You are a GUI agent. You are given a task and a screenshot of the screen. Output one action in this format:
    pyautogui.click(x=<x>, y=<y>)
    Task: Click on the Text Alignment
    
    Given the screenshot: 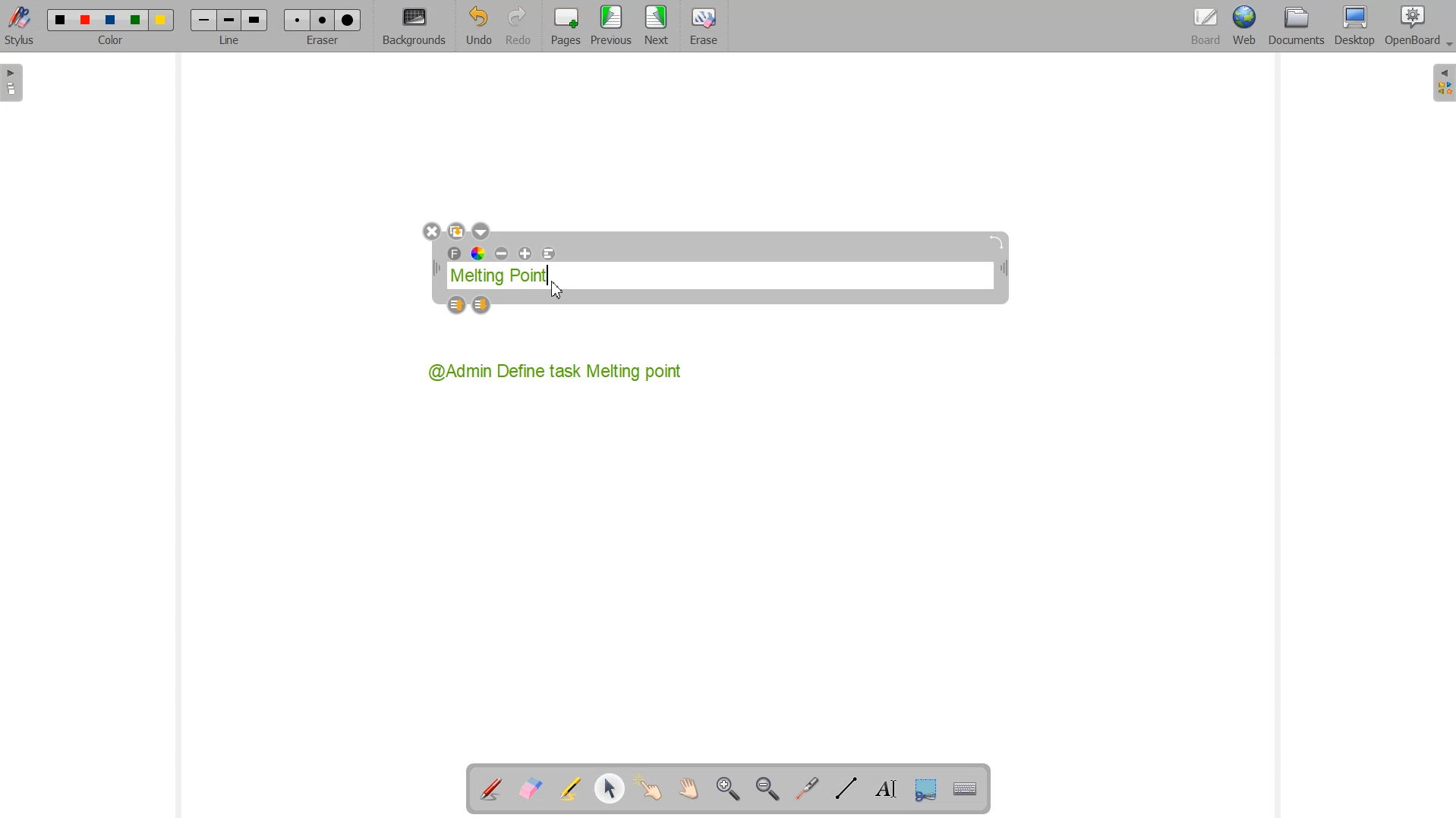 What is the action you would take?
    pyautogui.click(x=548, y=254)
    